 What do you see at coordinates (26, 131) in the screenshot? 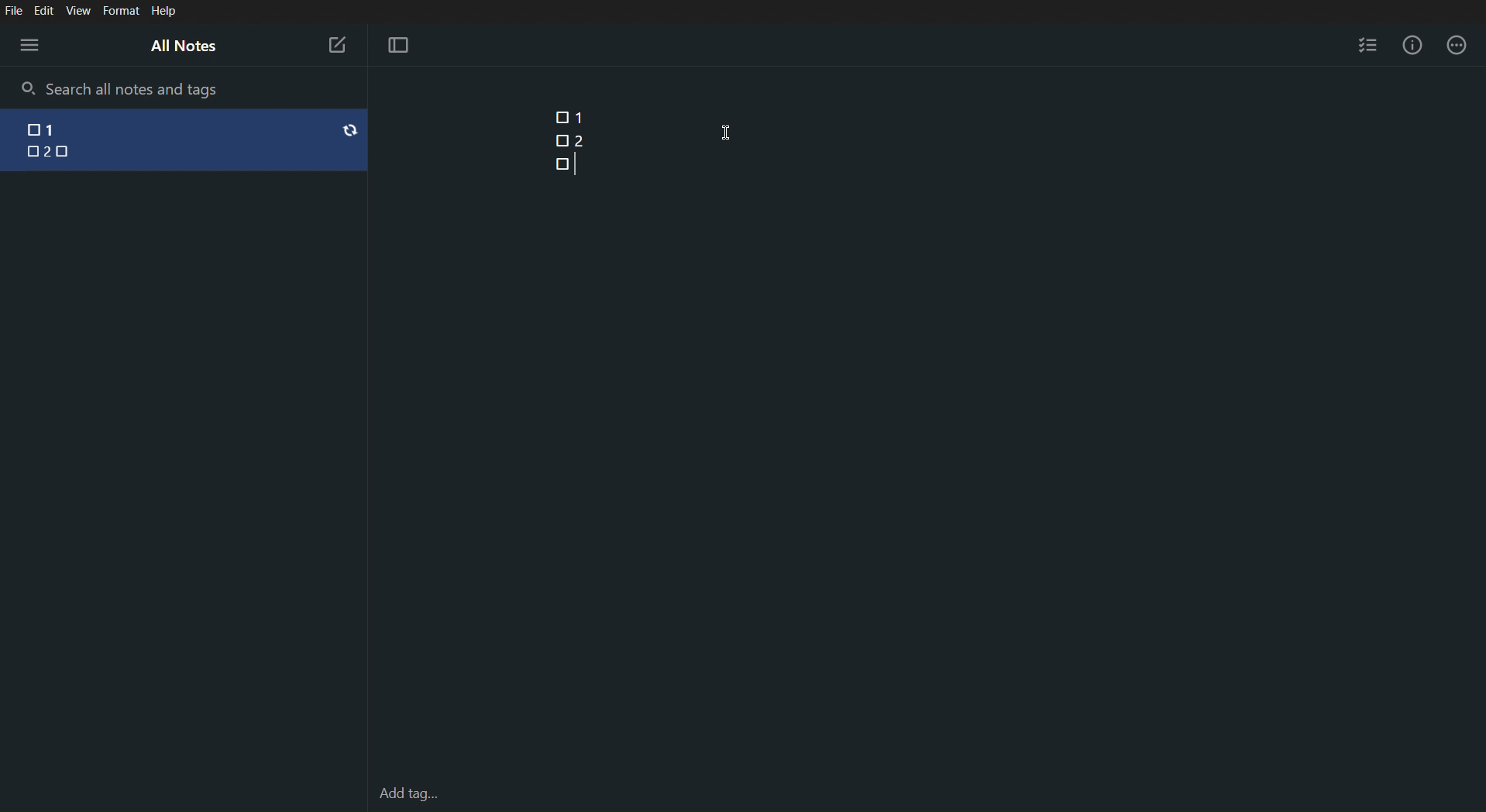
I see `checkbox` at bounding box center [26, 131].